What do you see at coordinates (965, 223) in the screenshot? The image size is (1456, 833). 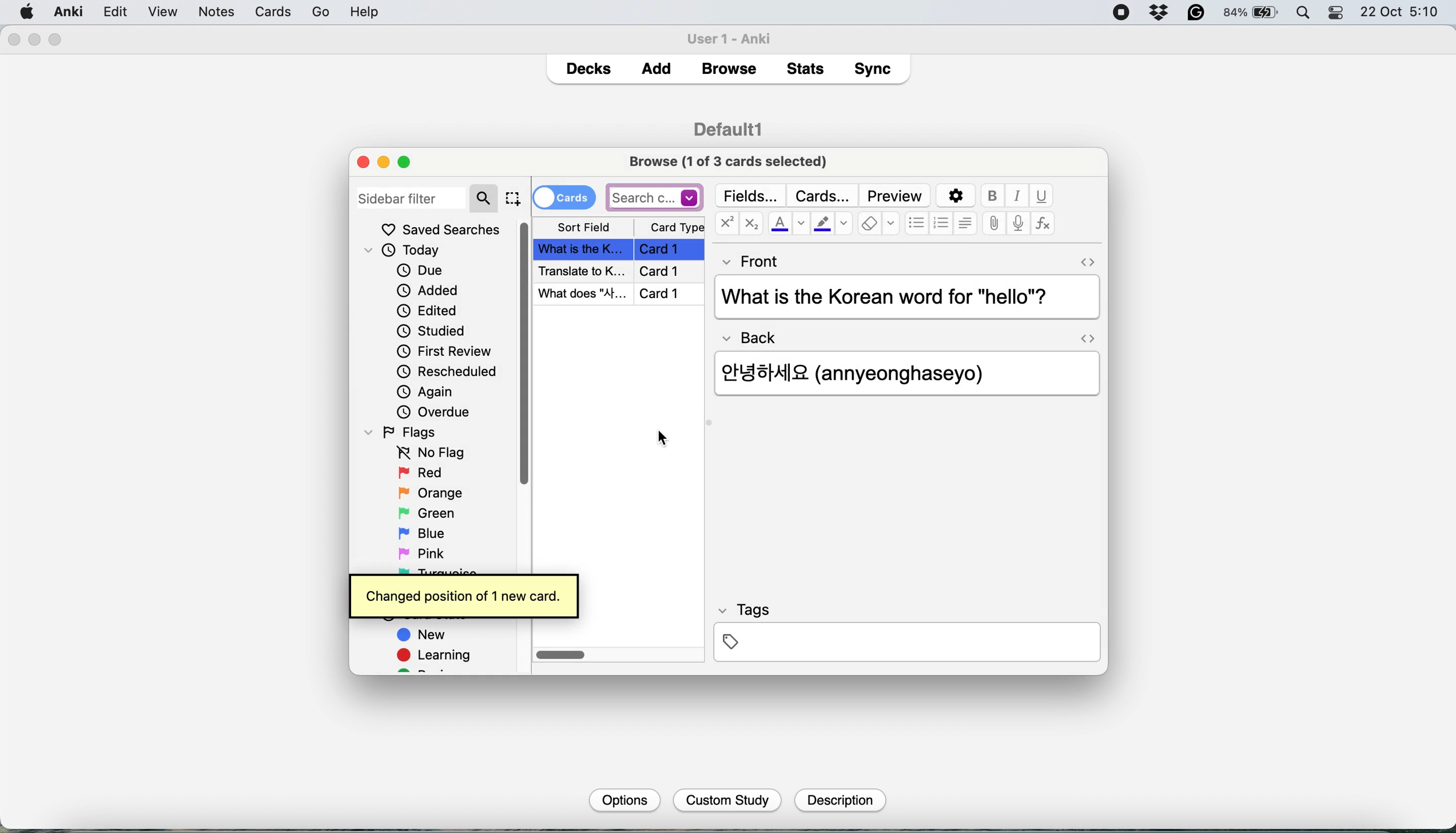 I see `justify` at bounding box center [965, 223].